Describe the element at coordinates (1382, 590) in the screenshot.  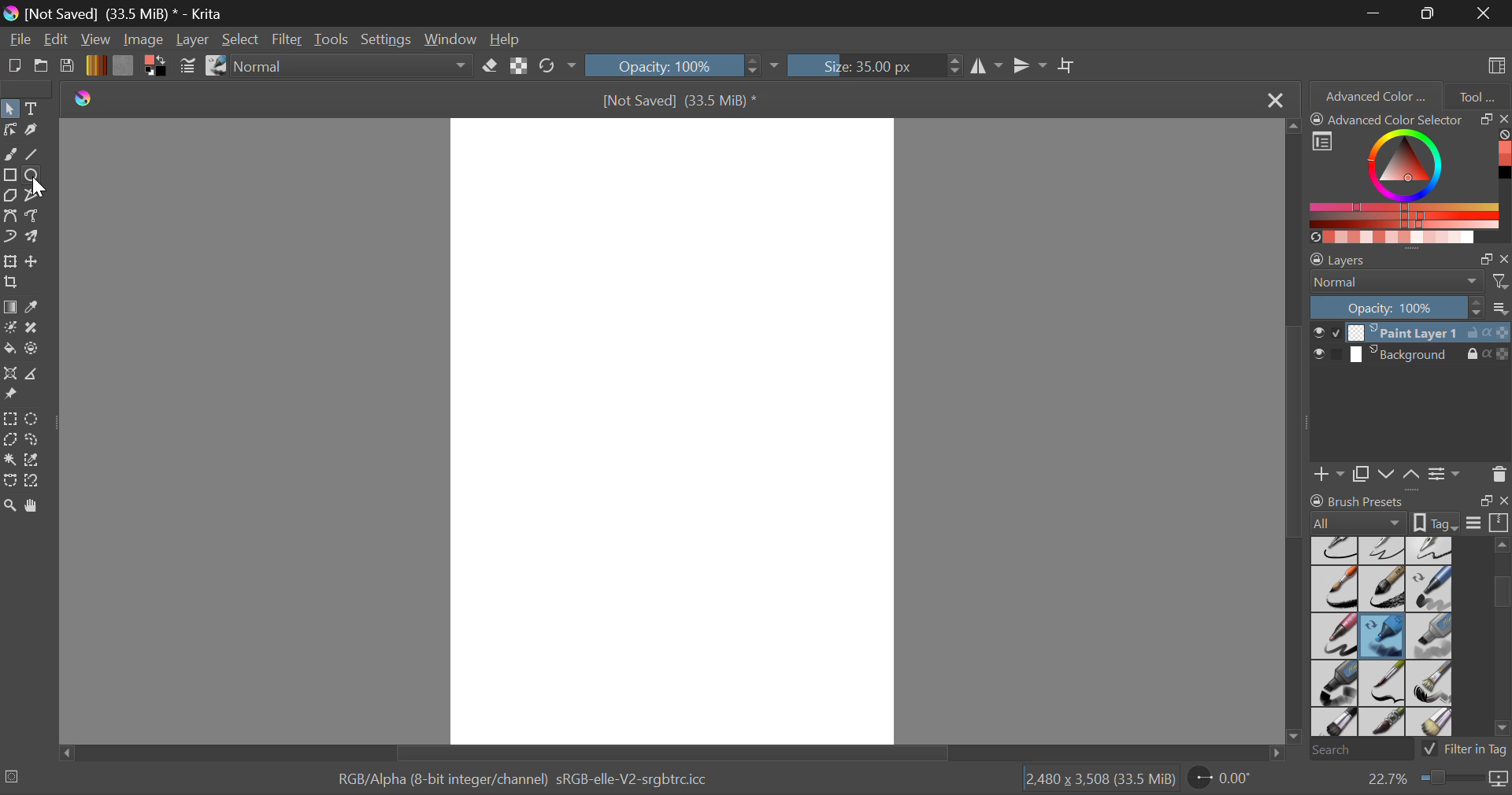
I see `Ink-8 Sumi-e` at that location.